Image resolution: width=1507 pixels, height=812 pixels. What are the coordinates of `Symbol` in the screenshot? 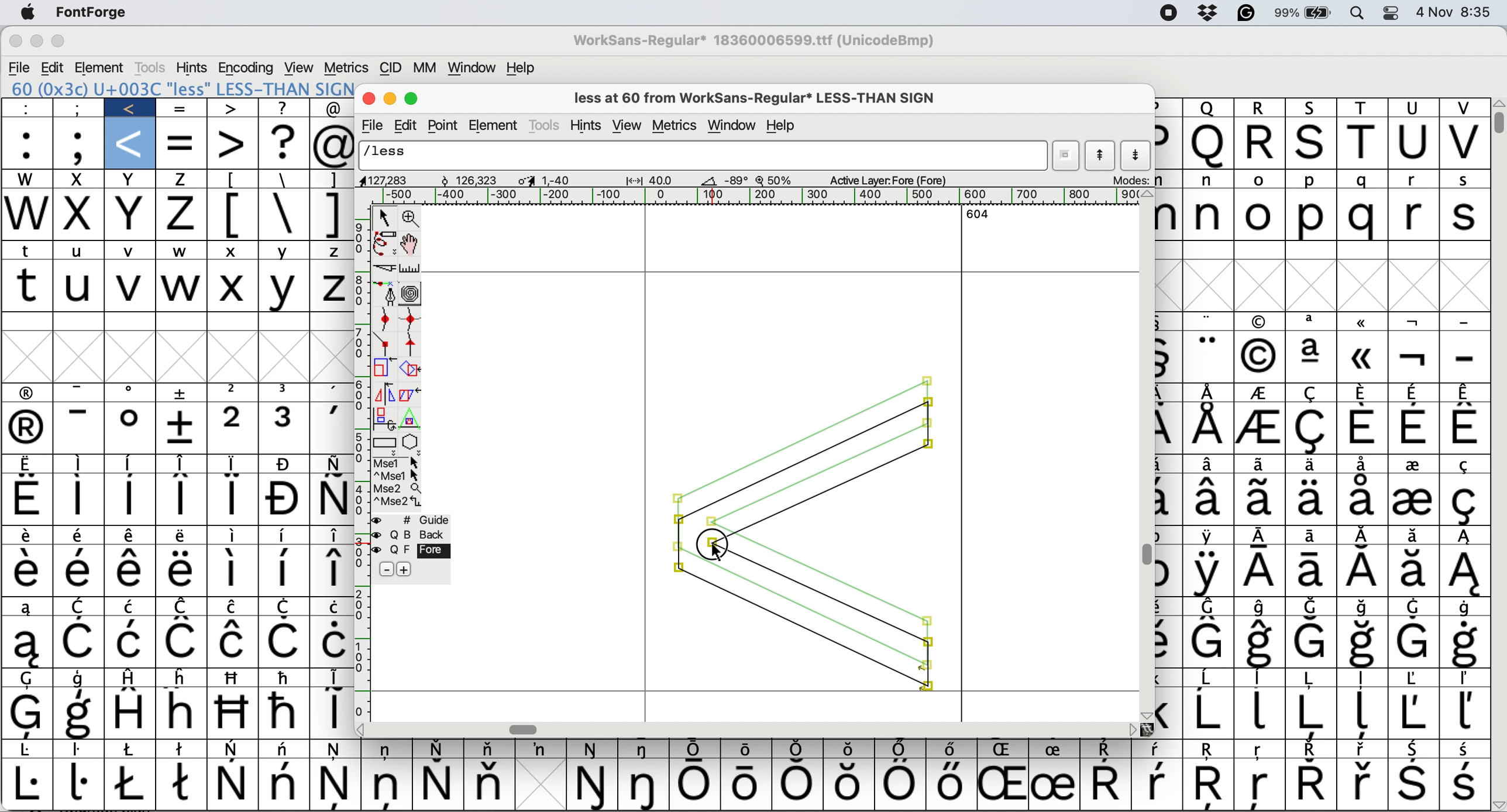 It's located at (800, 748).